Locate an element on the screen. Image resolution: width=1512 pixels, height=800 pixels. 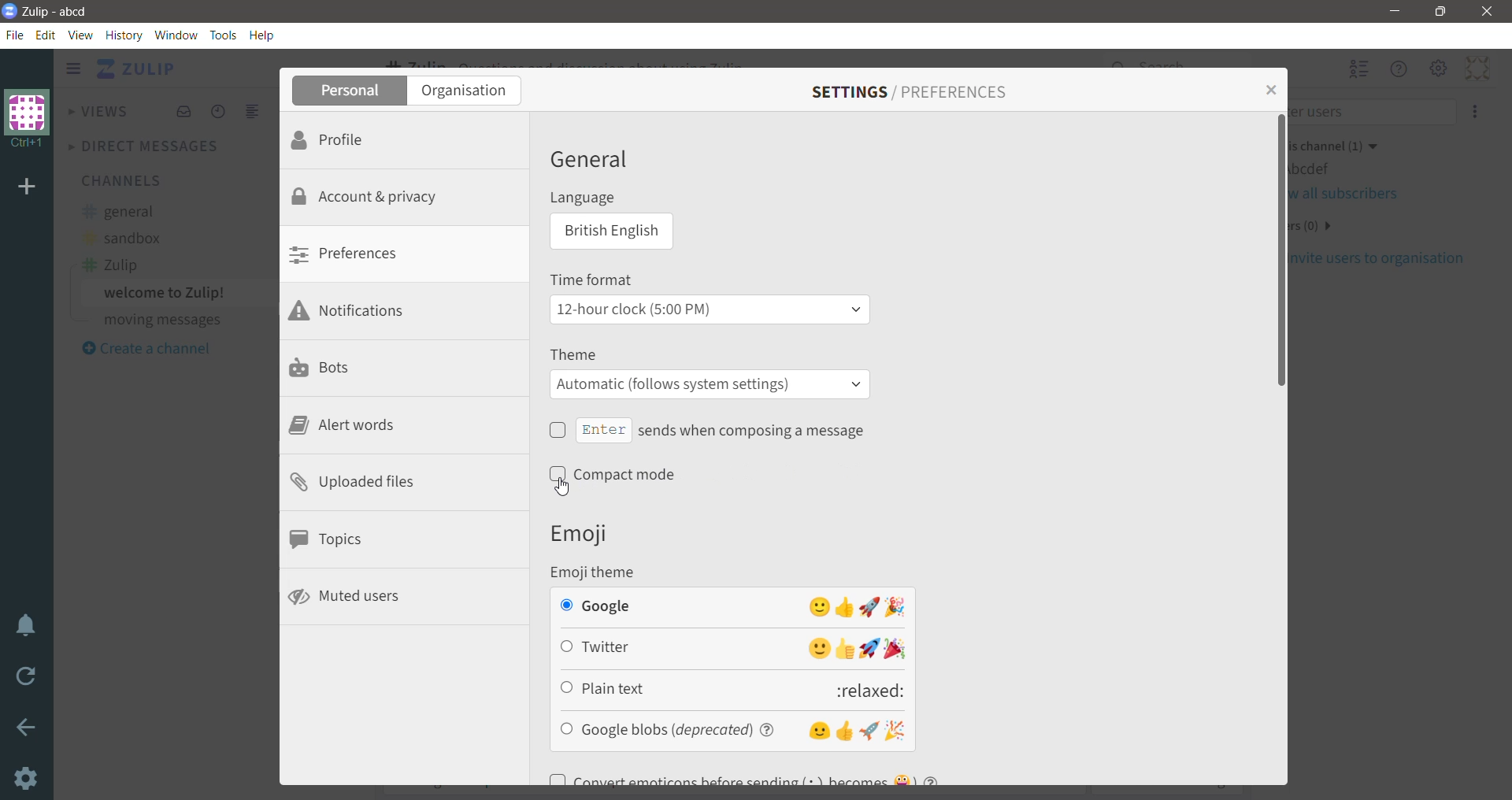
sandbox is located at coordinates (121, 236).